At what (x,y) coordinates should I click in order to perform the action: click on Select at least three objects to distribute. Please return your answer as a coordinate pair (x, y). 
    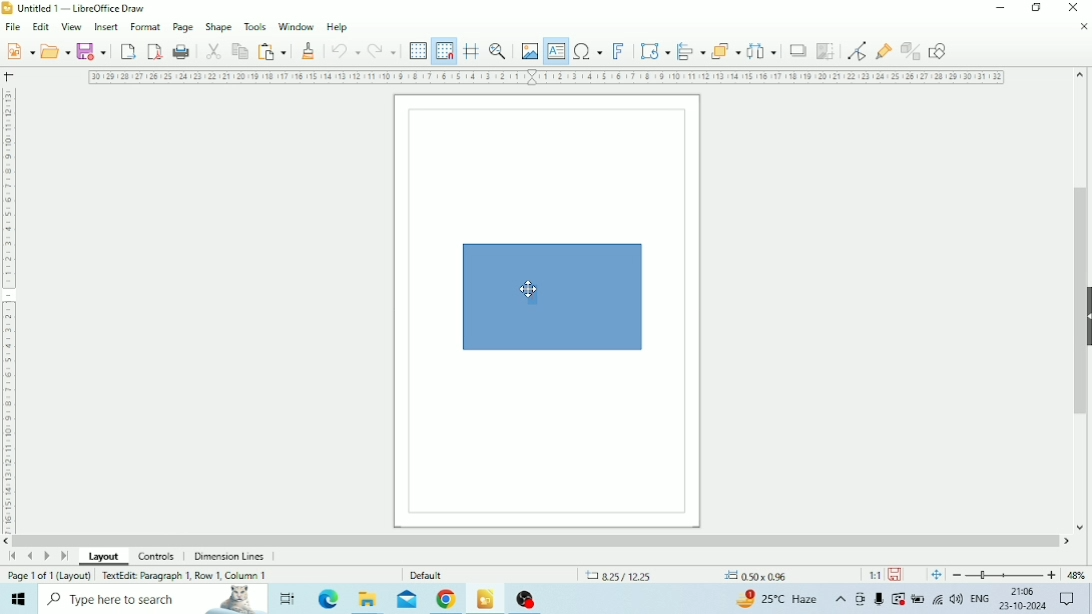
    Looking at the image, I should click on (762, 50).